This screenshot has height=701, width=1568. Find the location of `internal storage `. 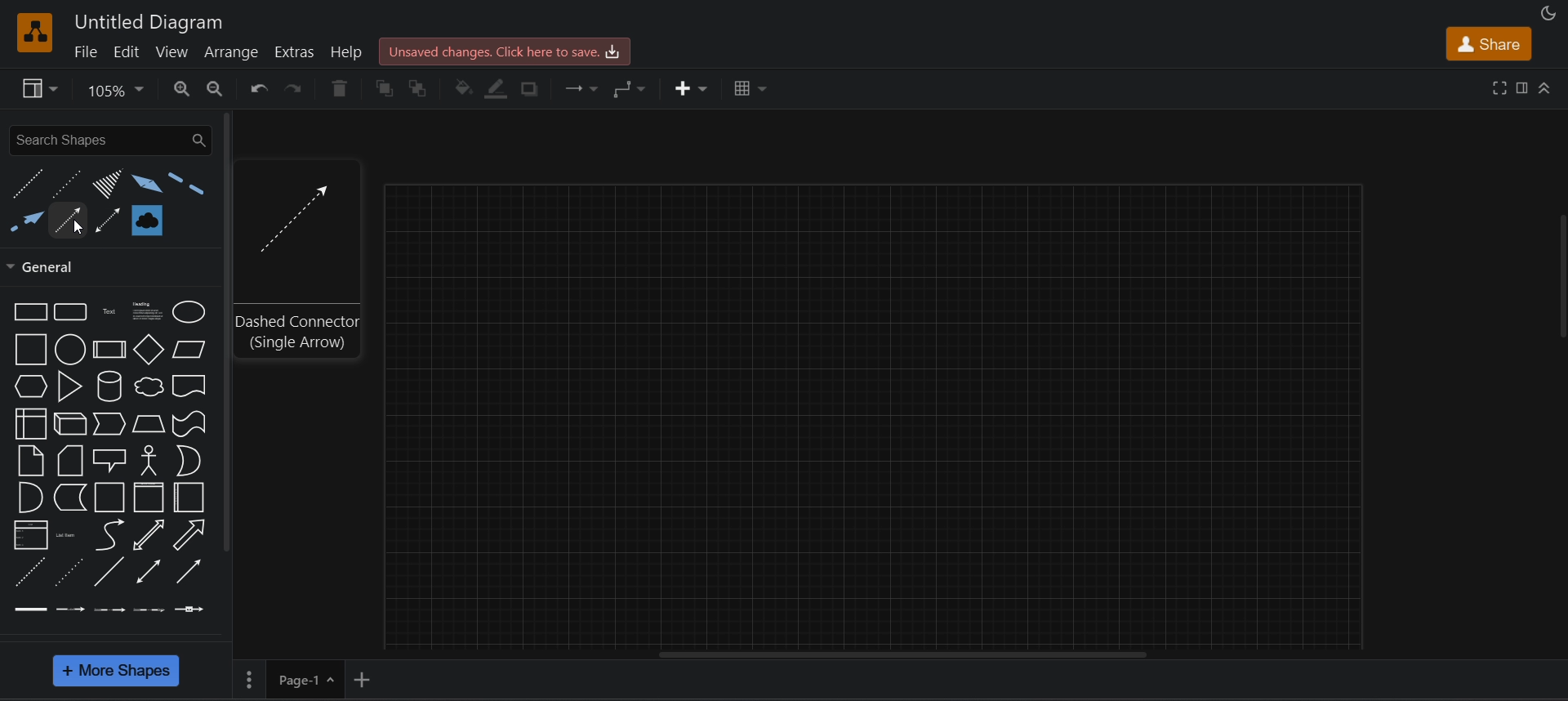

internal storage  is located at coordinates (33, 423).